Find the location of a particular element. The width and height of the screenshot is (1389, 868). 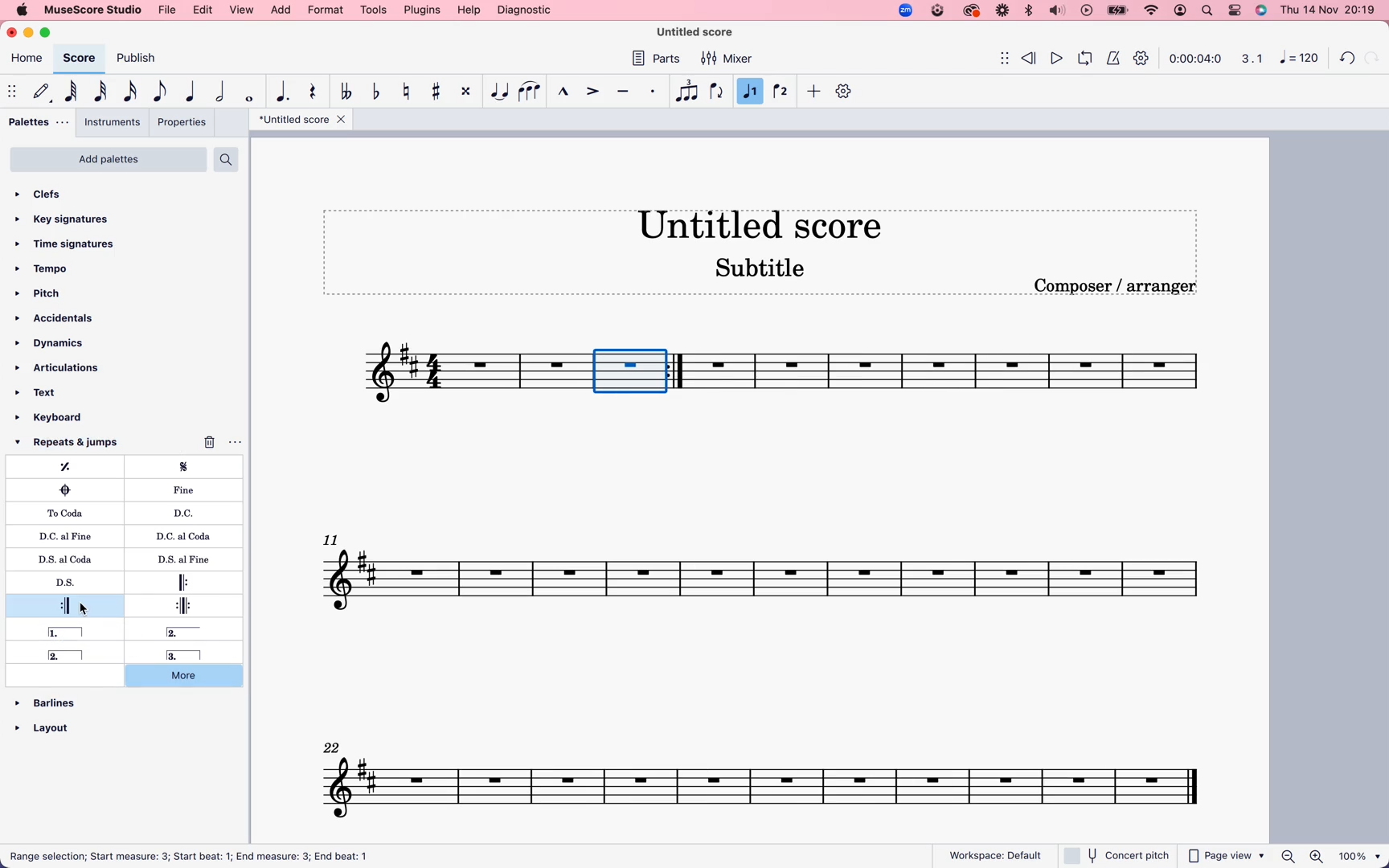

instruments is located at coordinates (113, 122).